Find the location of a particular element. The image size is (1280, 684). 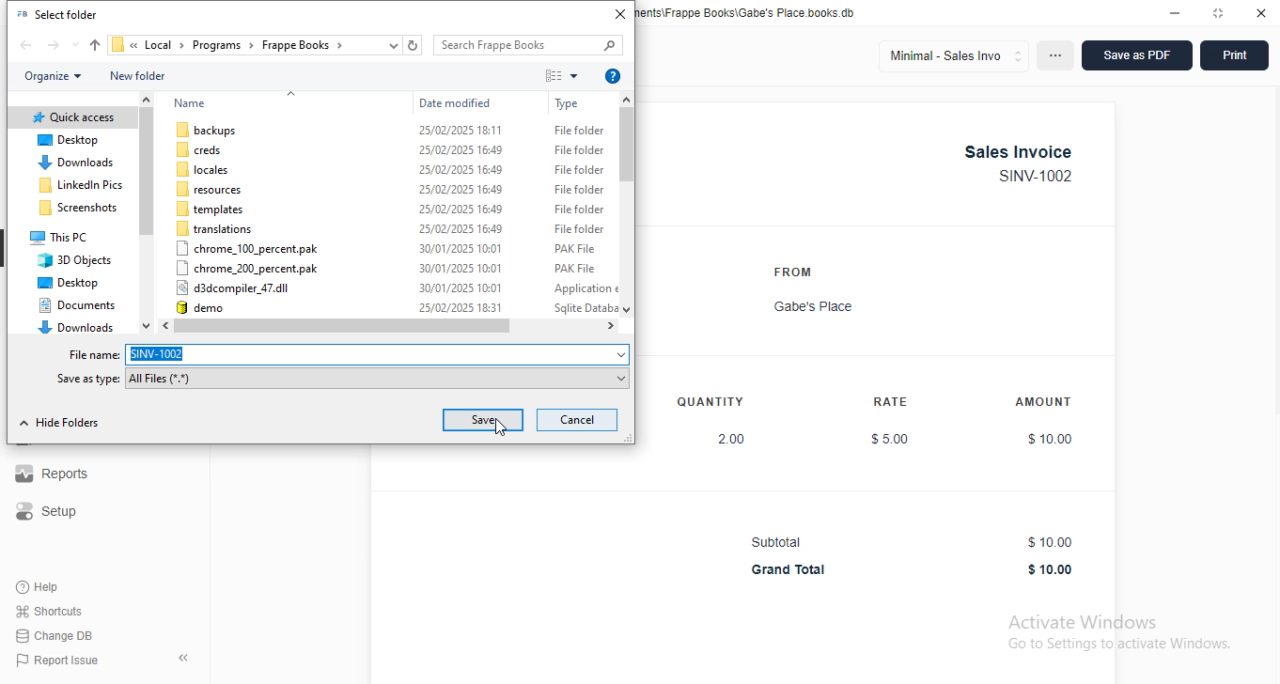

refresh "frappe books" is located at coordinates (413, 45).